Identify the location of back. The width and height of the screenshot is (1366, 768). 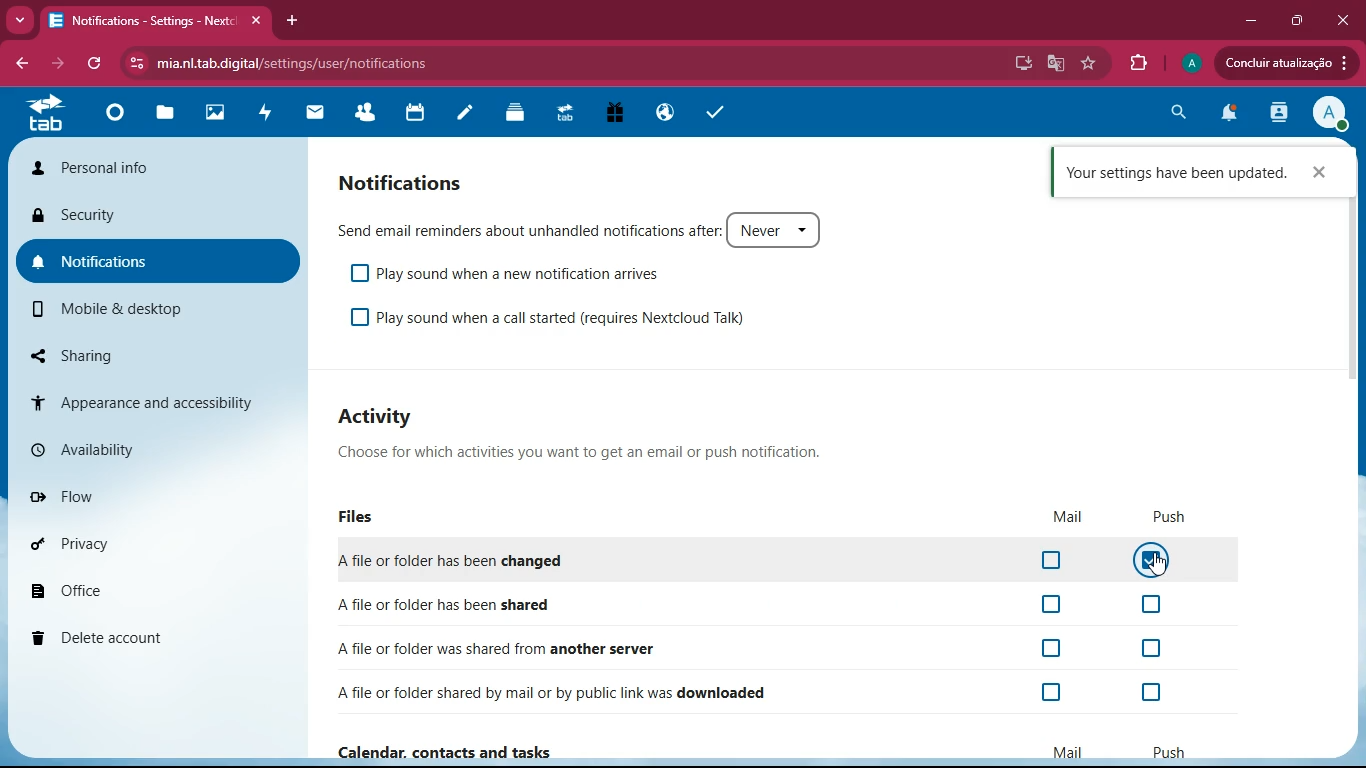
(21, 64).